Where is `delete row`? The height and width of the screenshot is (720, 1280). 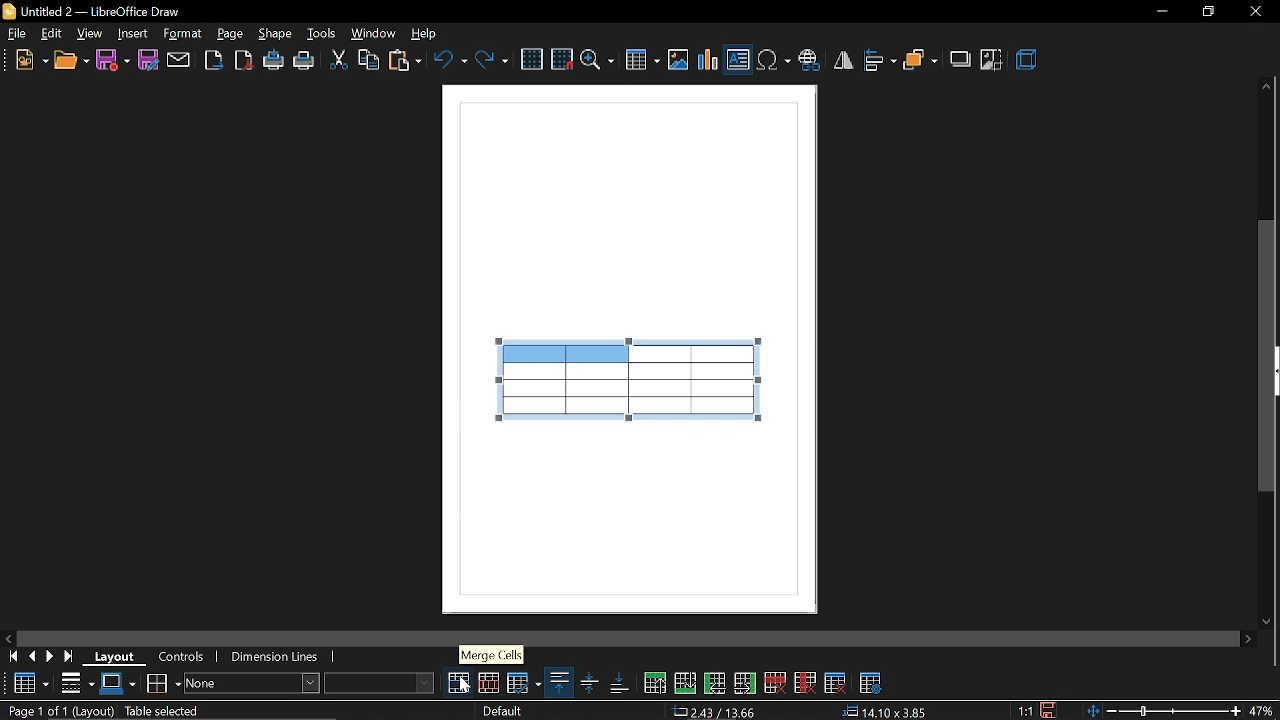 delete row is located at coordinates (775, 682).